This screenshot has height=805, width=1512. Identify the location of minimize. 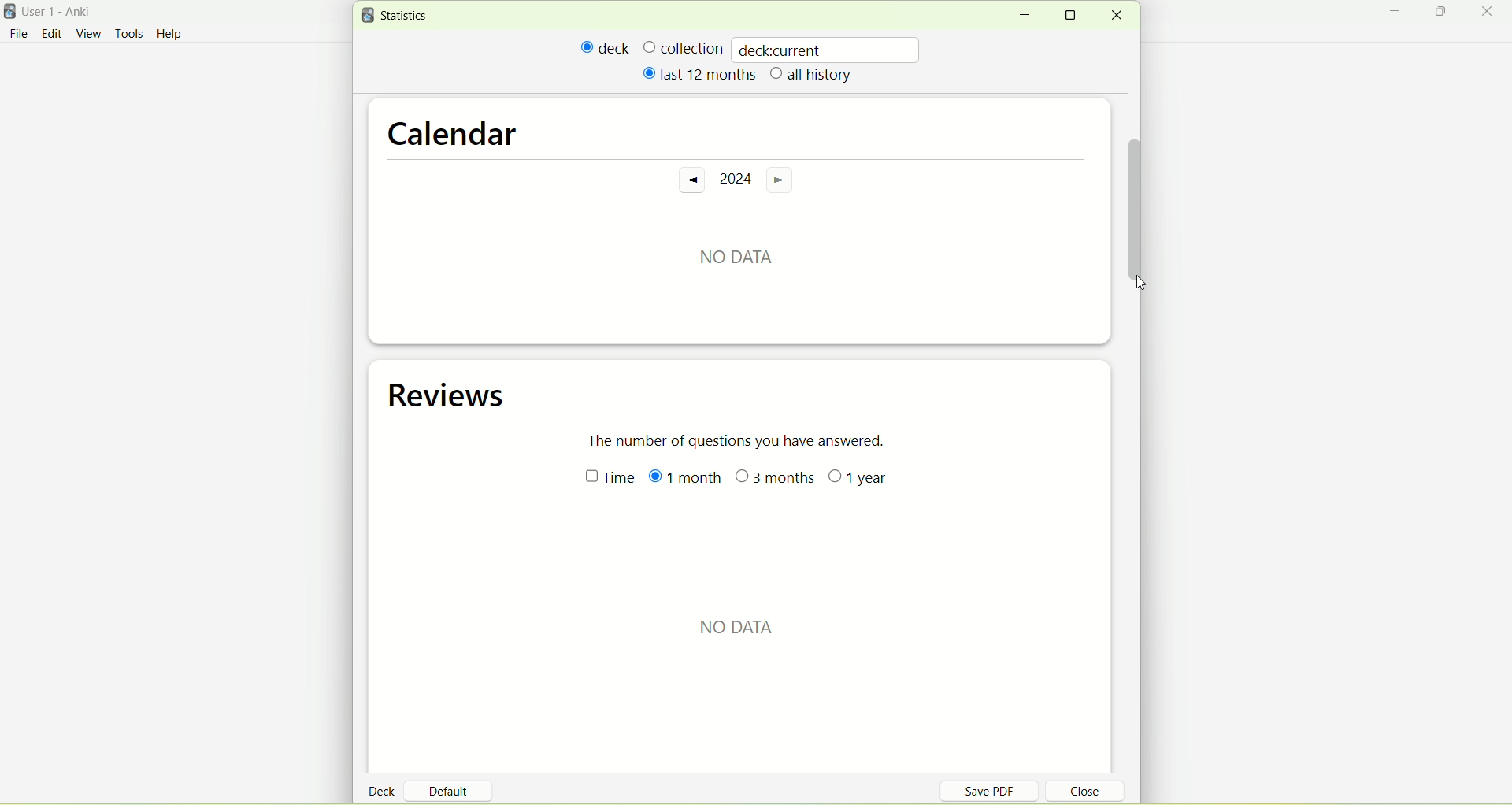
(1024, 16).